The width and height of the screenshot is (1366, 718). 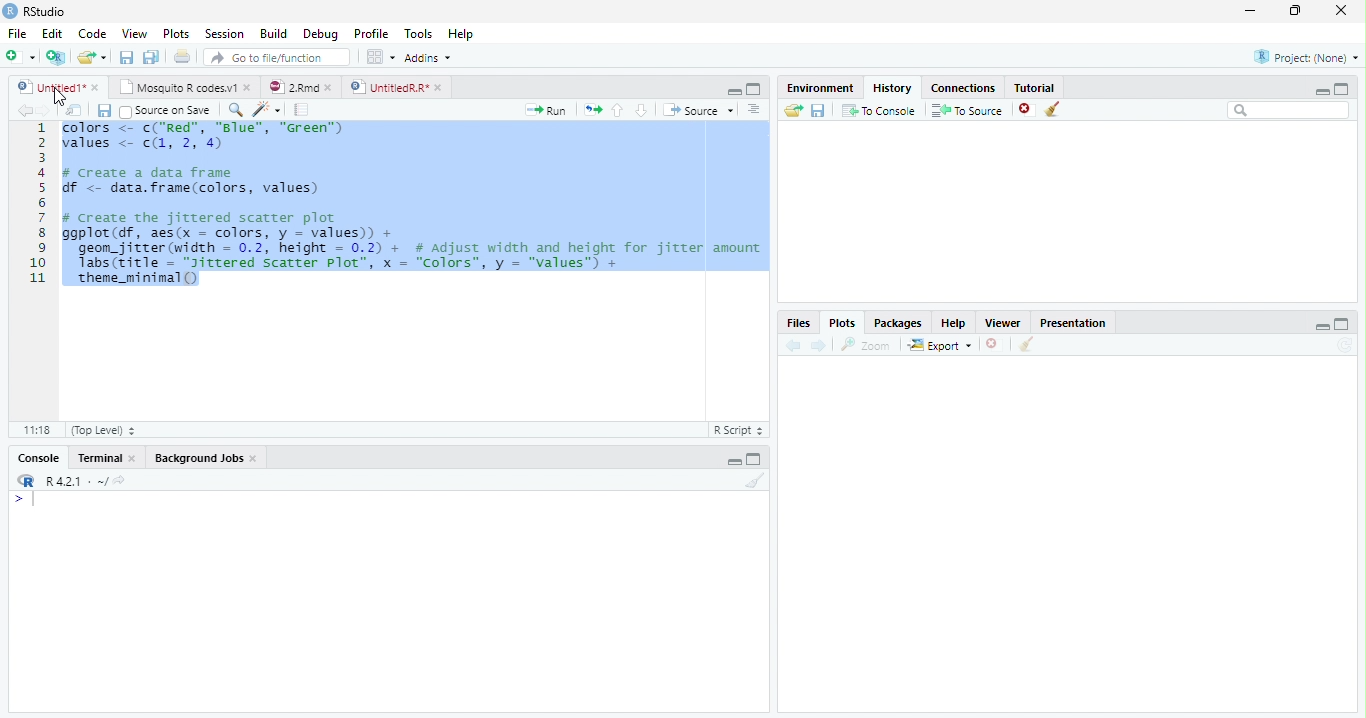 I want to click on Compile Report, so click(x=302, y=111).